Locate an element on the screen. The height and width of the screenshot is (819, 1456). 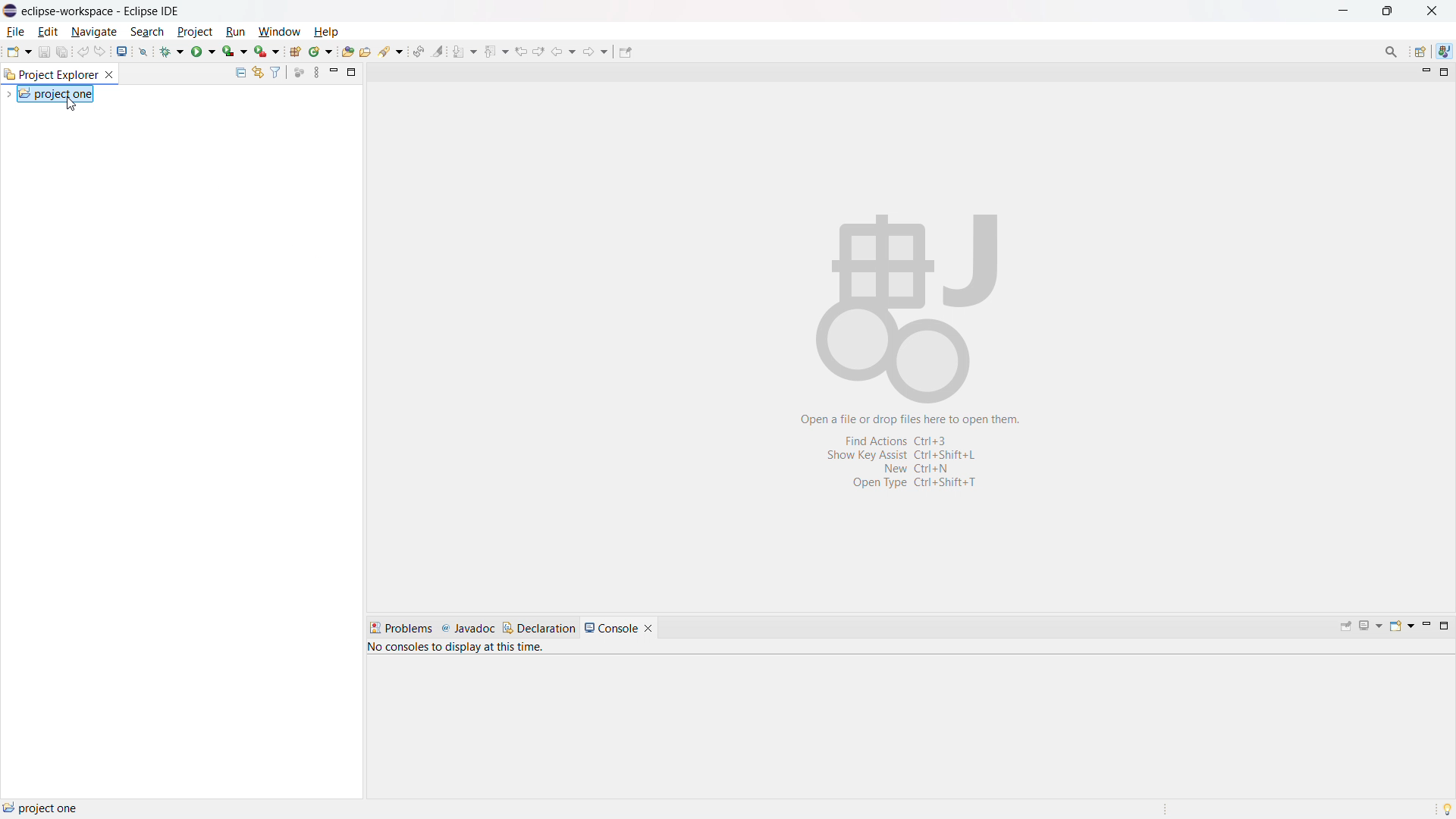
open type ctrl+shift+t is located at coordinates (911, 484).